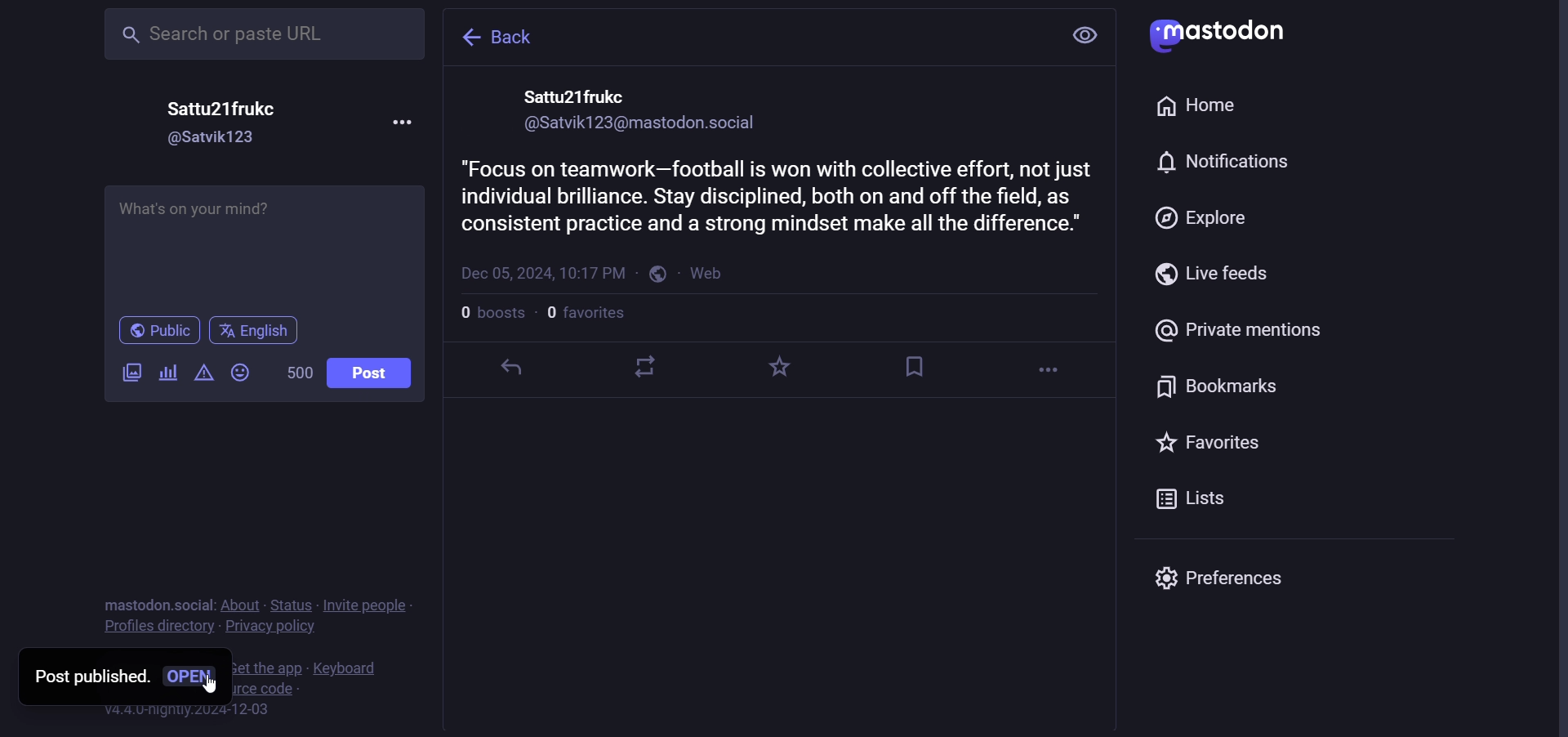 This screenshot has height=737, width=1568. Describe the element at coordinates (150, 602) in the screenshot. I see `mastodon social` at that location.